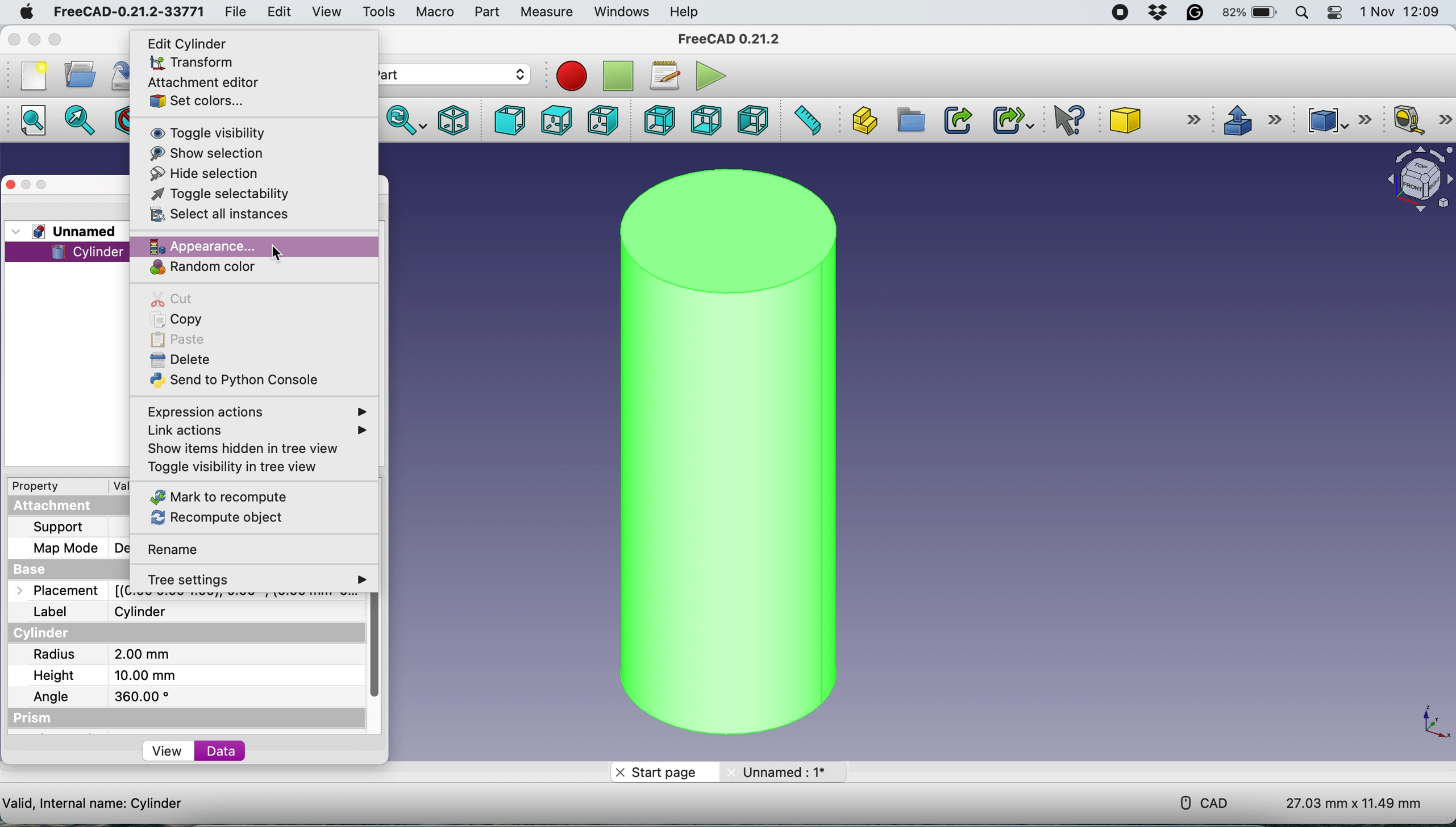 This screenshot has width=1456, height=827. What do you see at coordinates (548, 12) in the screenshot?
I see `measure` at bounding box center [548, 12].